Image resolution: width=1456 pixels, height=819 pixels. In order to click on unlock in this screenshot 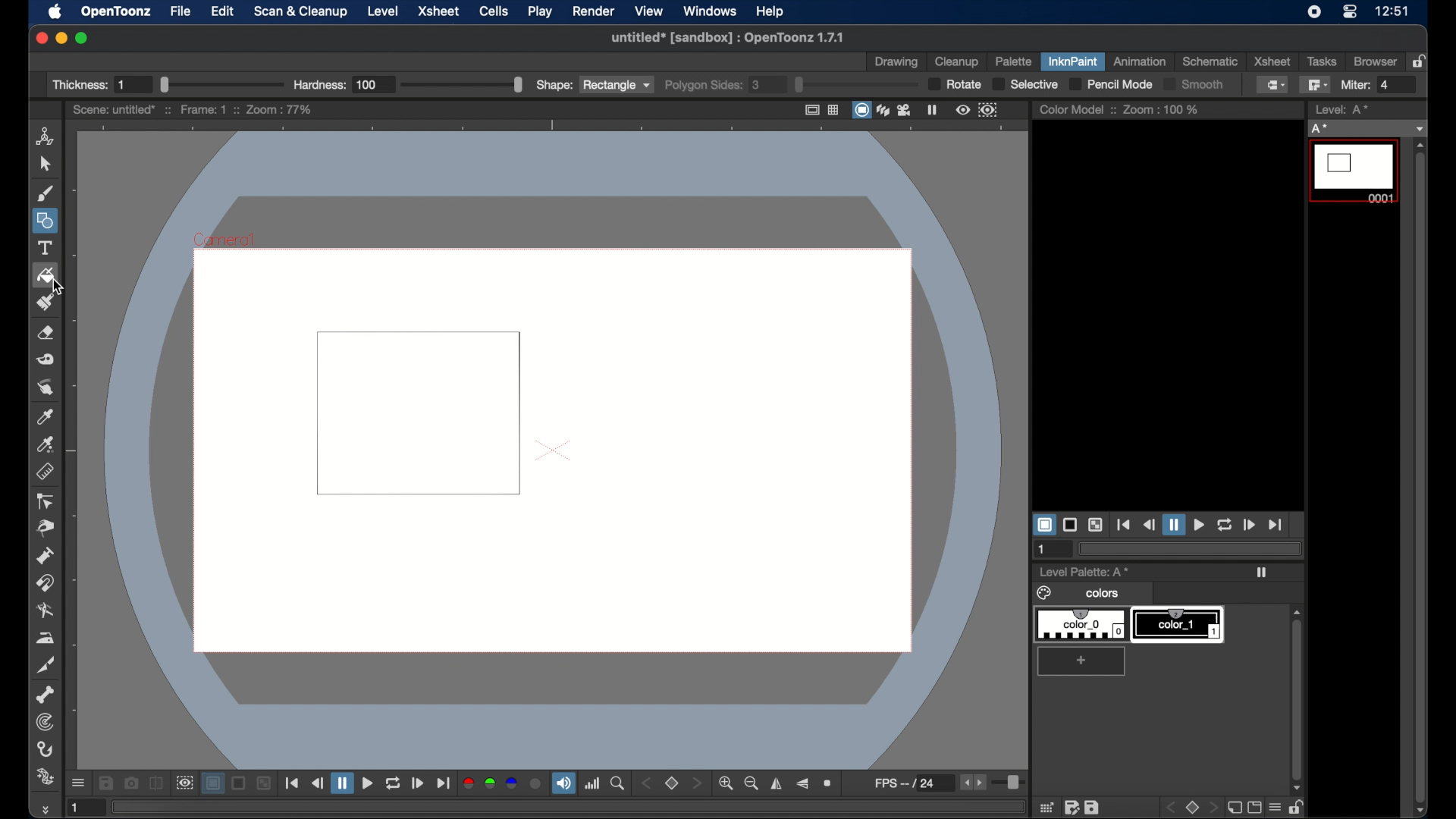, I will do `click(1296, 807)`.